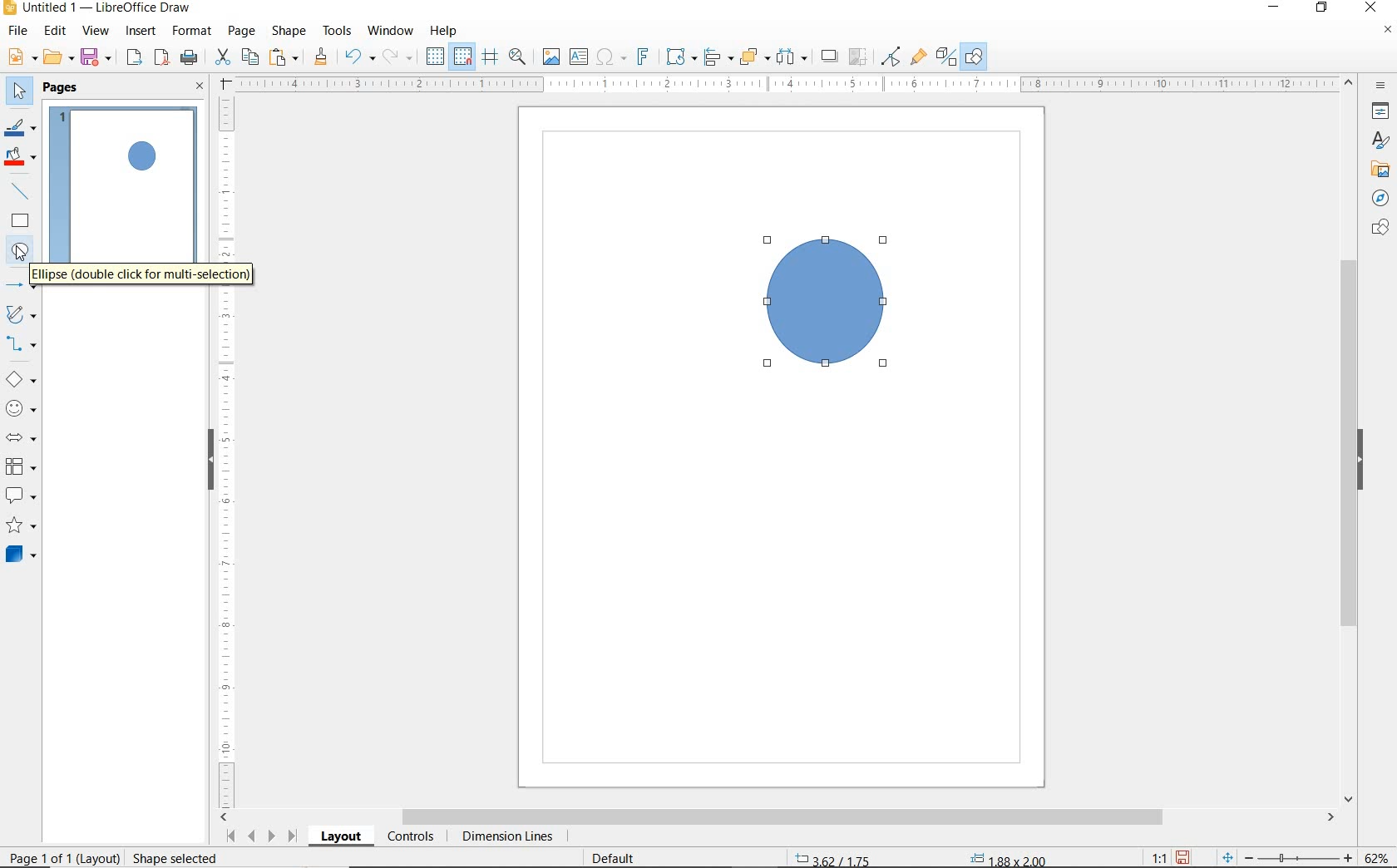 This screenshot has width=1397, height=868. I want to click on NAVIGATOR, so click(1375, 199).